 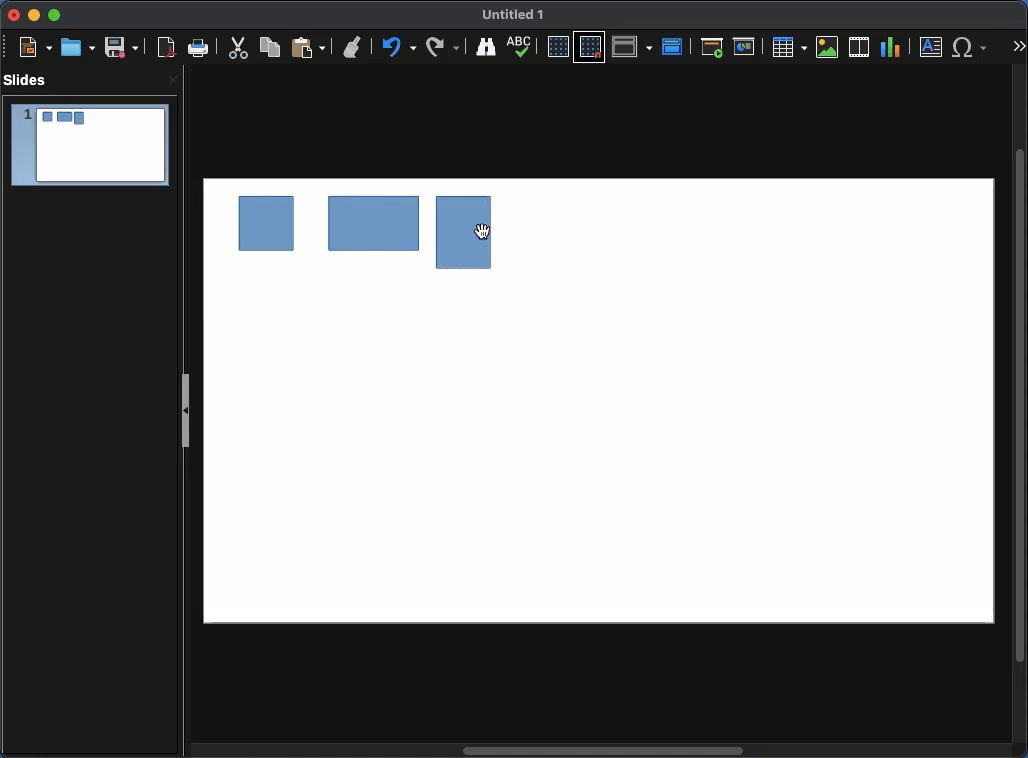 What do you see at coordinates (27, 79) in the screenshot?
I see `Slides` at bounding box center [27, 79].